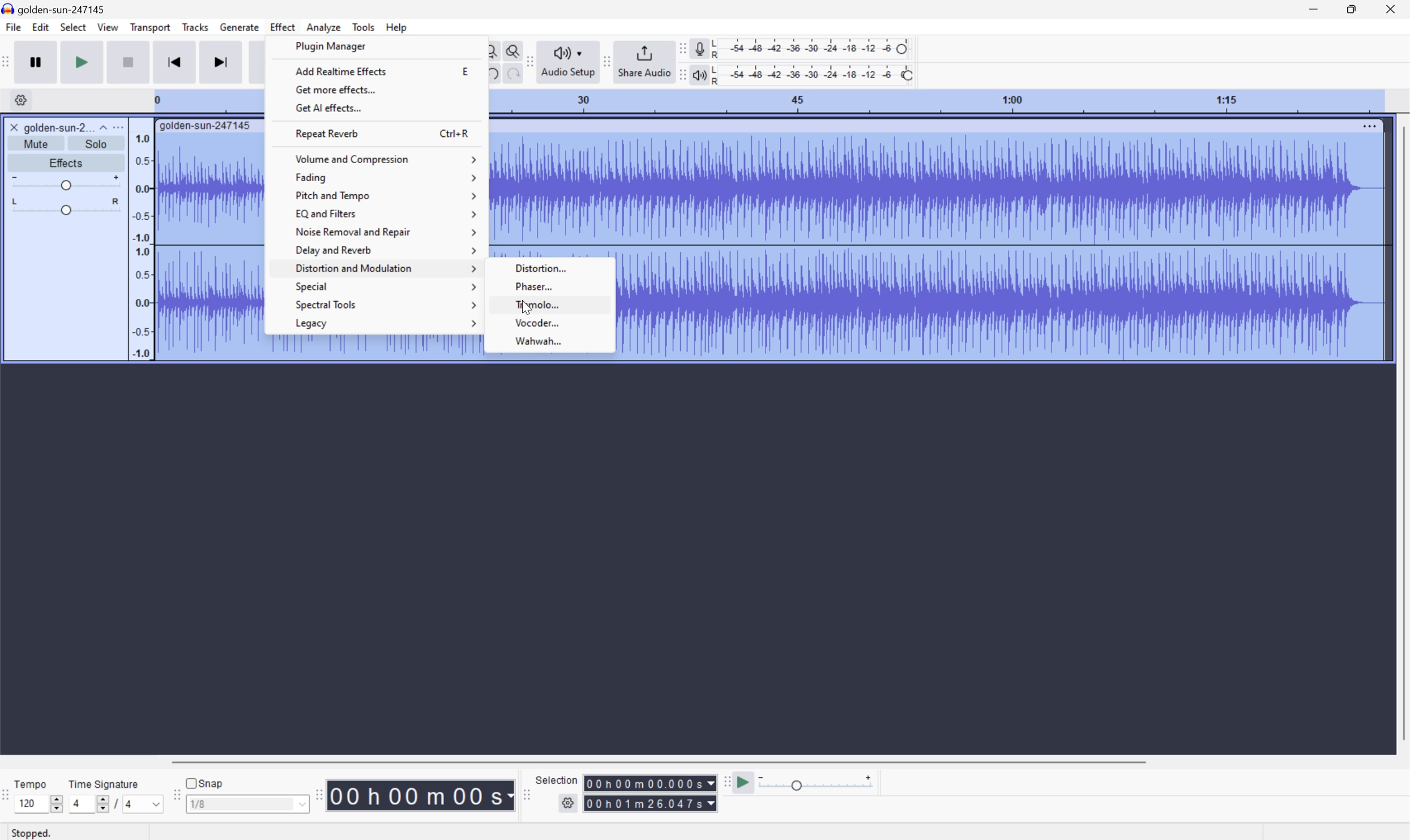 Image resolution: width=1410 pixels, height=840 pixels. Describe the element at coordinates (246, 804) in the screenshot. I see `1/8` at that location.